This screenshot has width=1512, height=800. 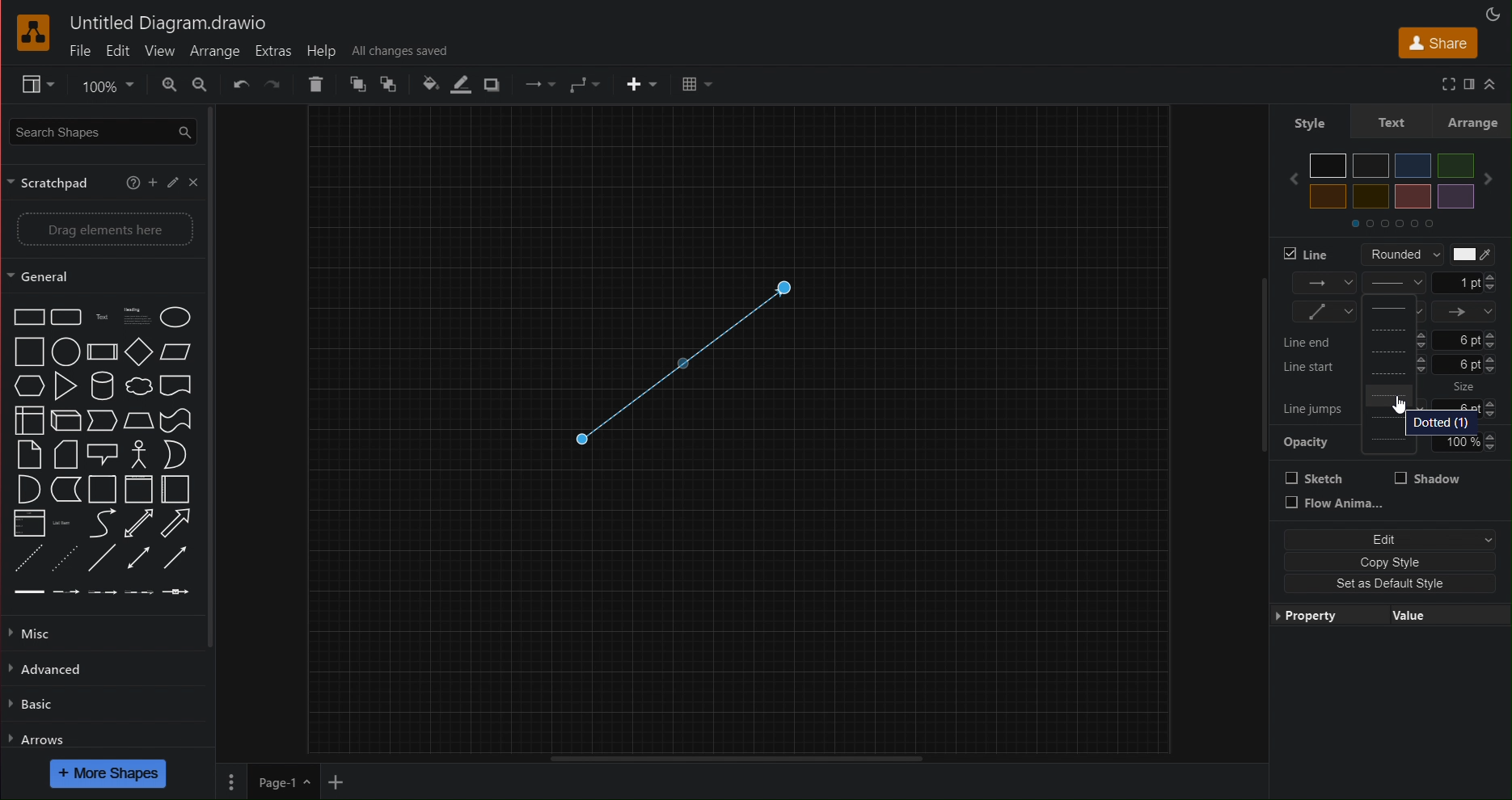 I want to click on Style, so click(x=1308, y=122).